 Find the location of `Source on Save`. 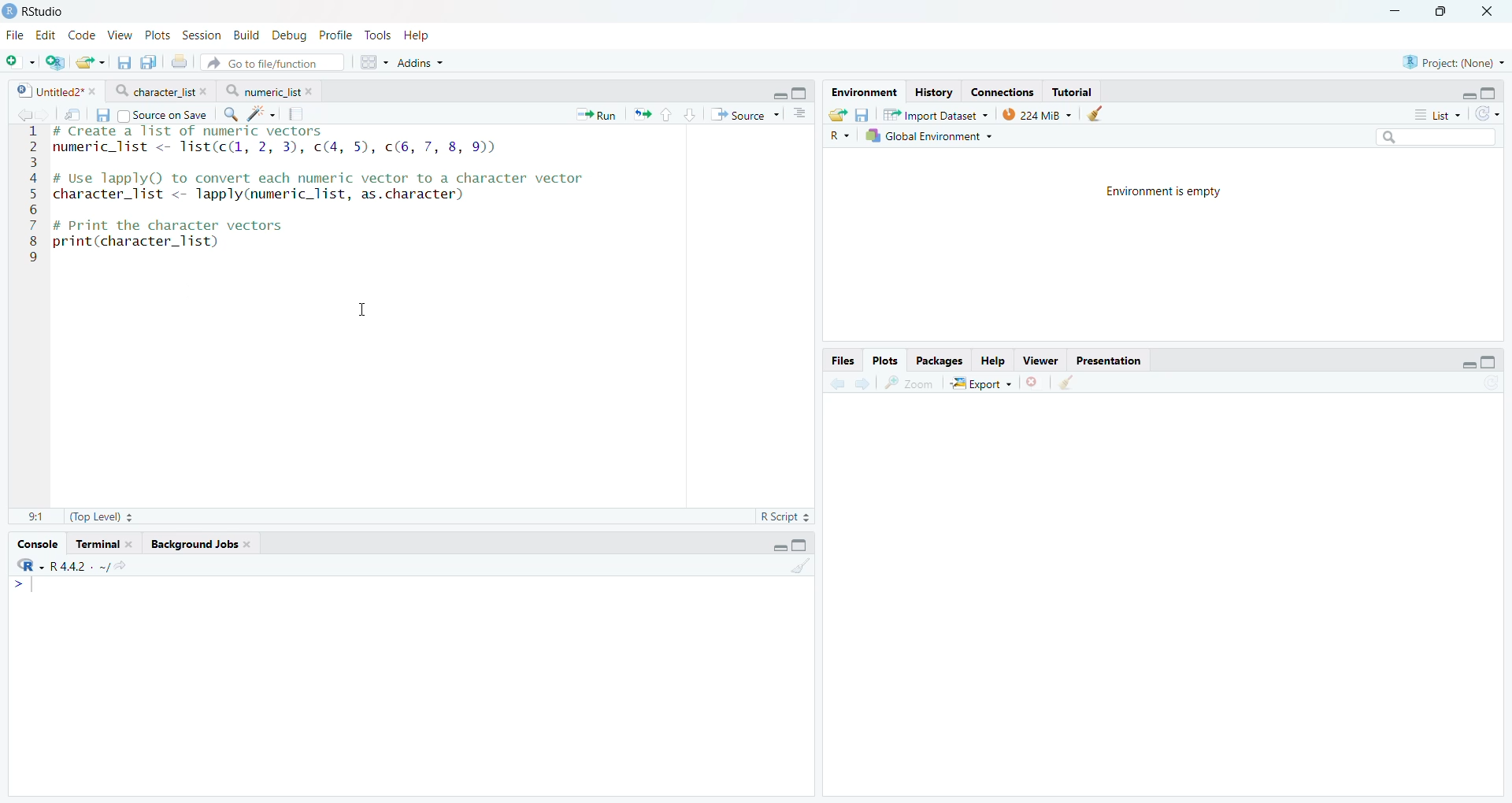

Source on Save is located at coordinates (162, 115).